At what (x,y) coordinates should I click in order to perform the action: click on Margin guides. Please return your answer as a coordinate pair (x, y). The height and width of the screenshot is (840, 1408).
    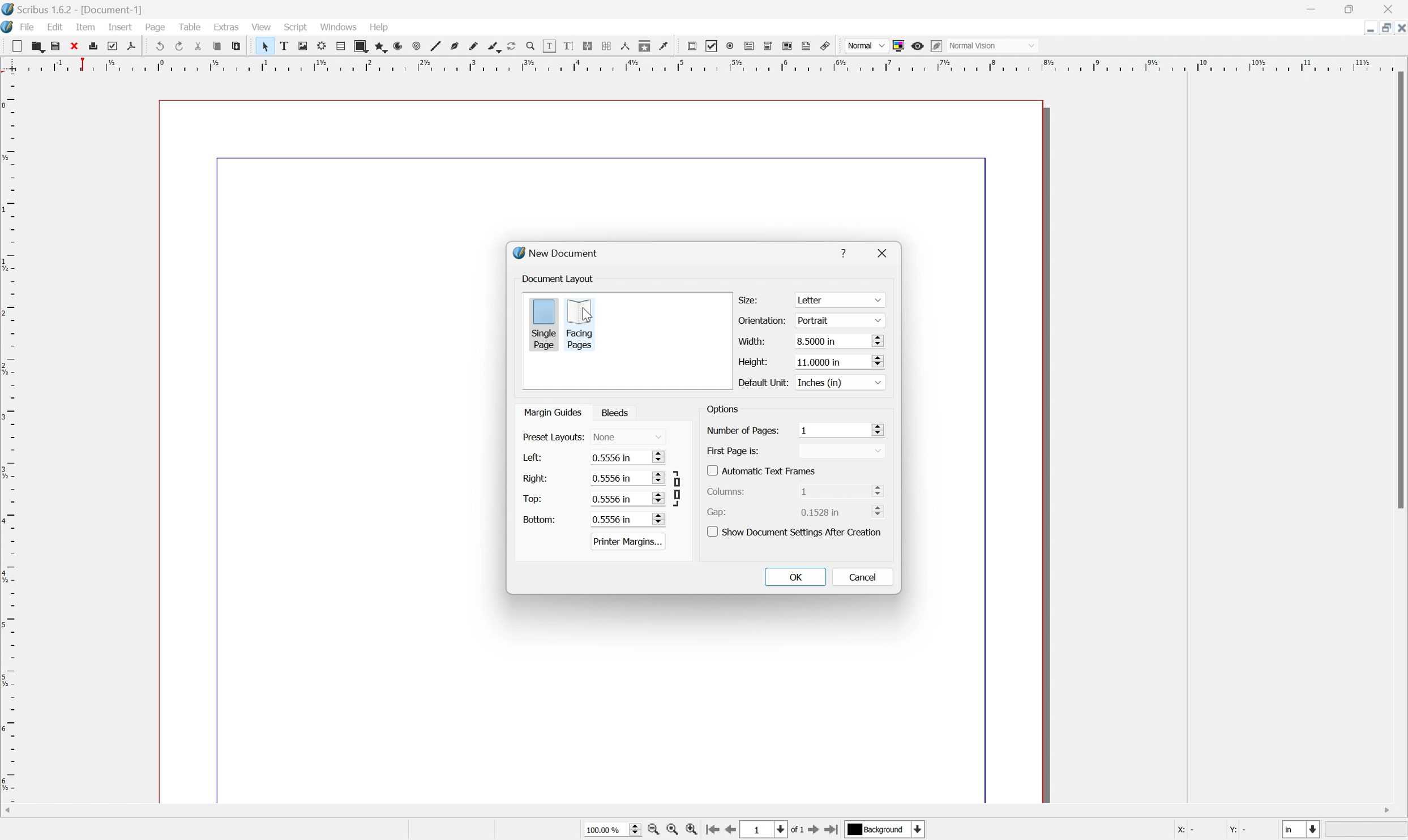
    Looking at the image, I should click on (551, 412).